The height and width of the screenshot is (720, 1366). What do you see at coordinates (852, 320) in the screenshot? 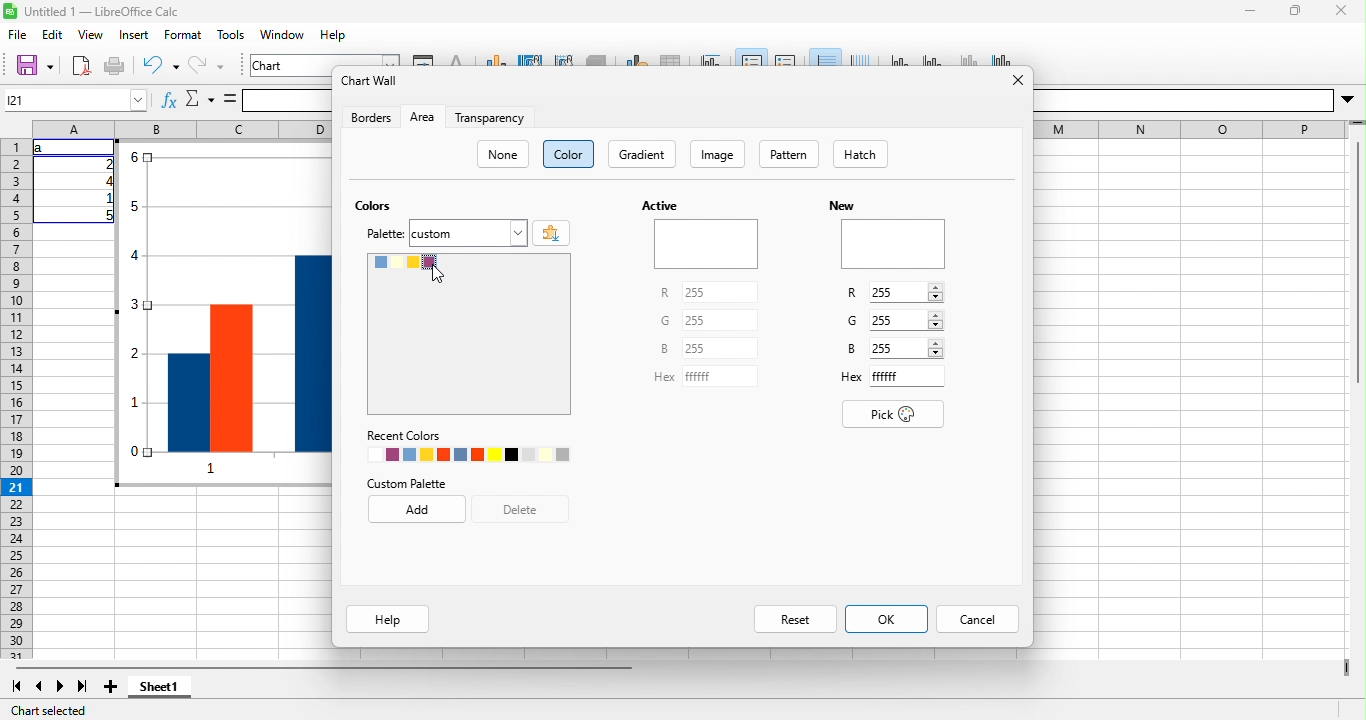
I see `G` at bounding box center [852, 320].